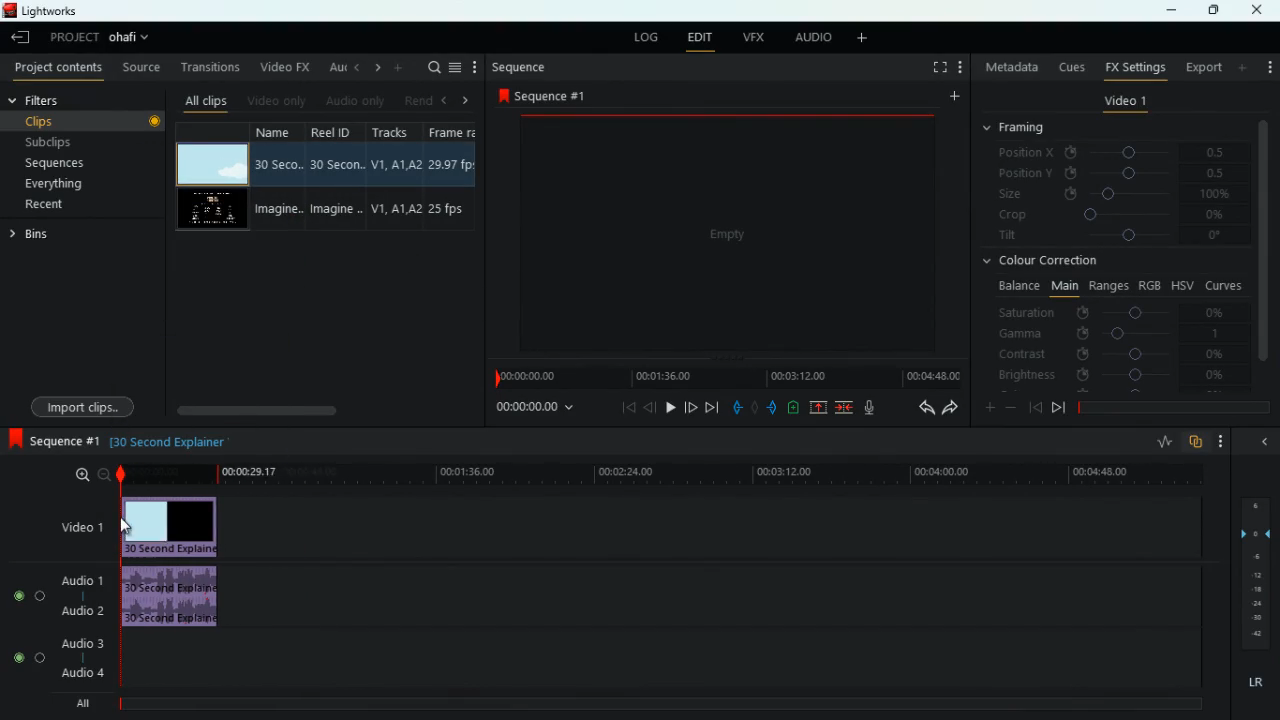  Describe the element at coordinates (670, 406) in the screenshot. I see `play` at that location.